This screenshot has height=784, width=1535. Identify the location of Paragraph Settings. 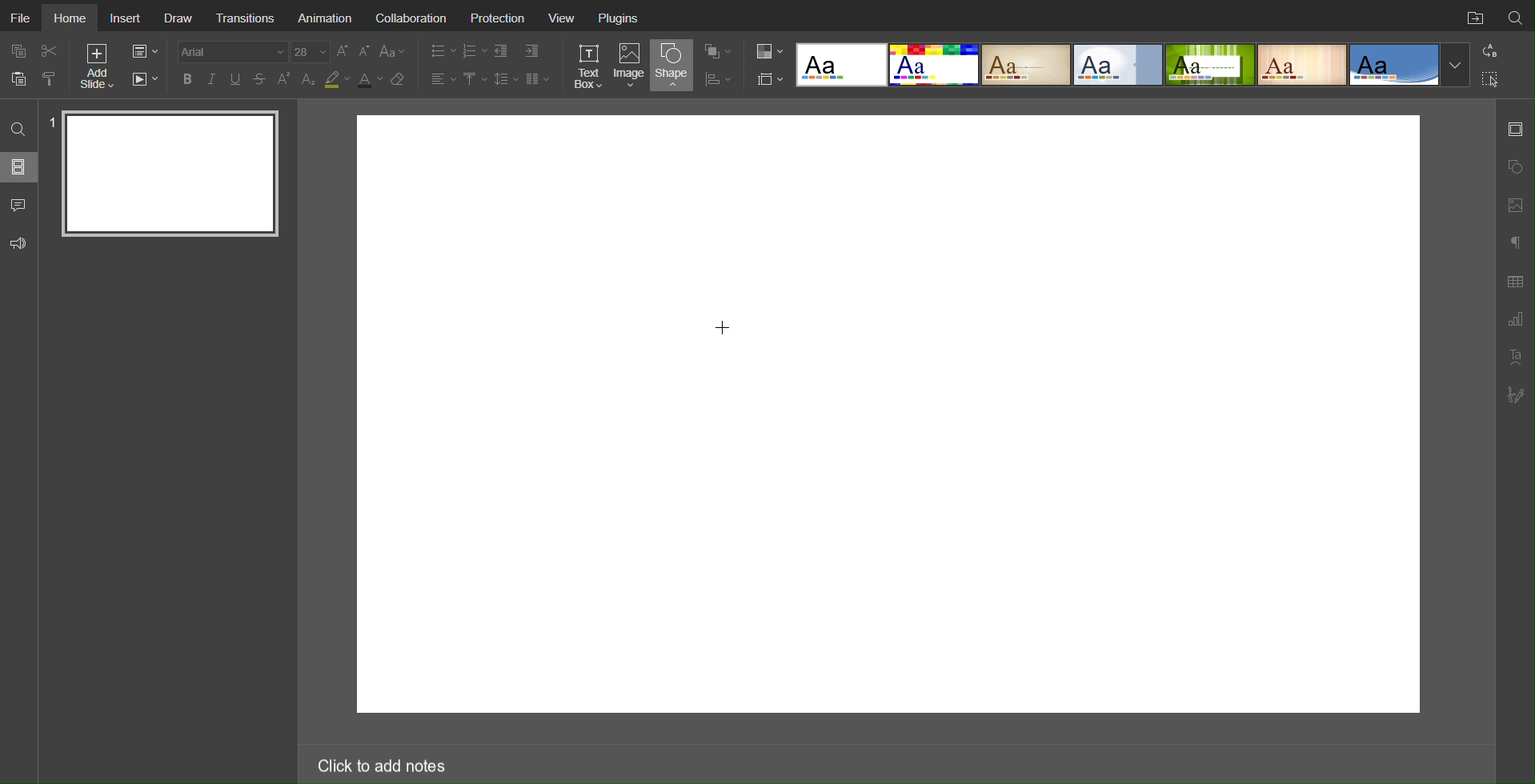
(1514, 240).